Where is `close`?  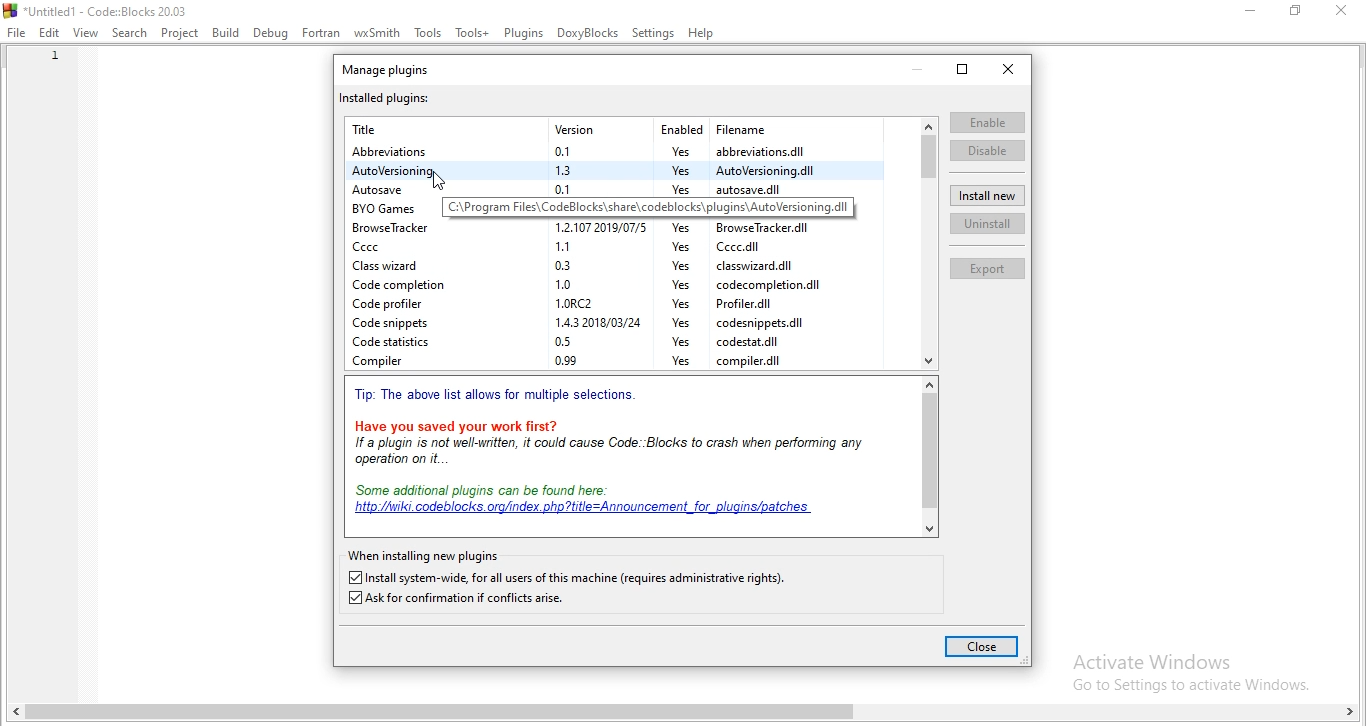 close is located at coordinates (1346, 12).